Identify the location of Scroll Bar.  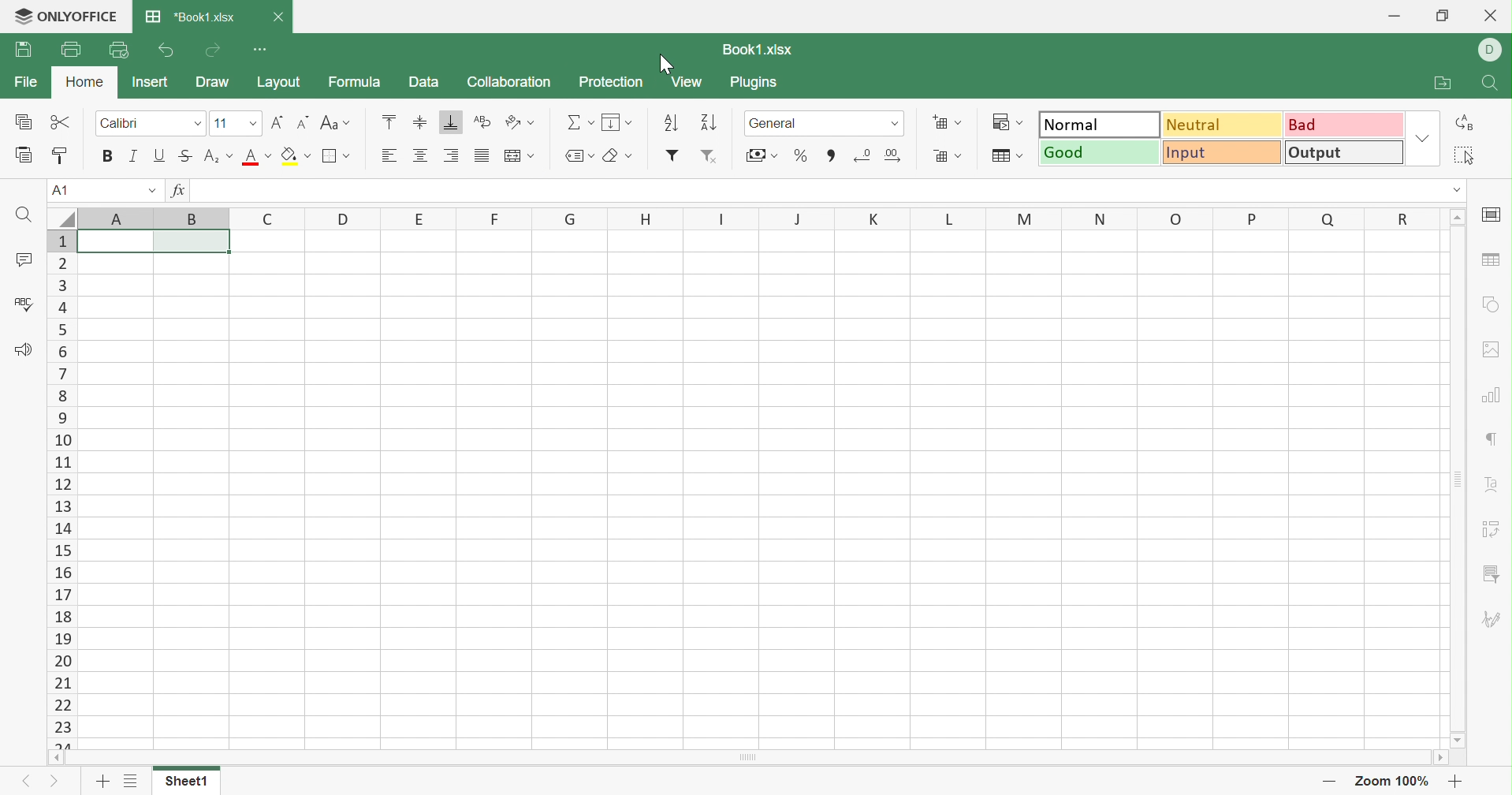
(1458, 479).